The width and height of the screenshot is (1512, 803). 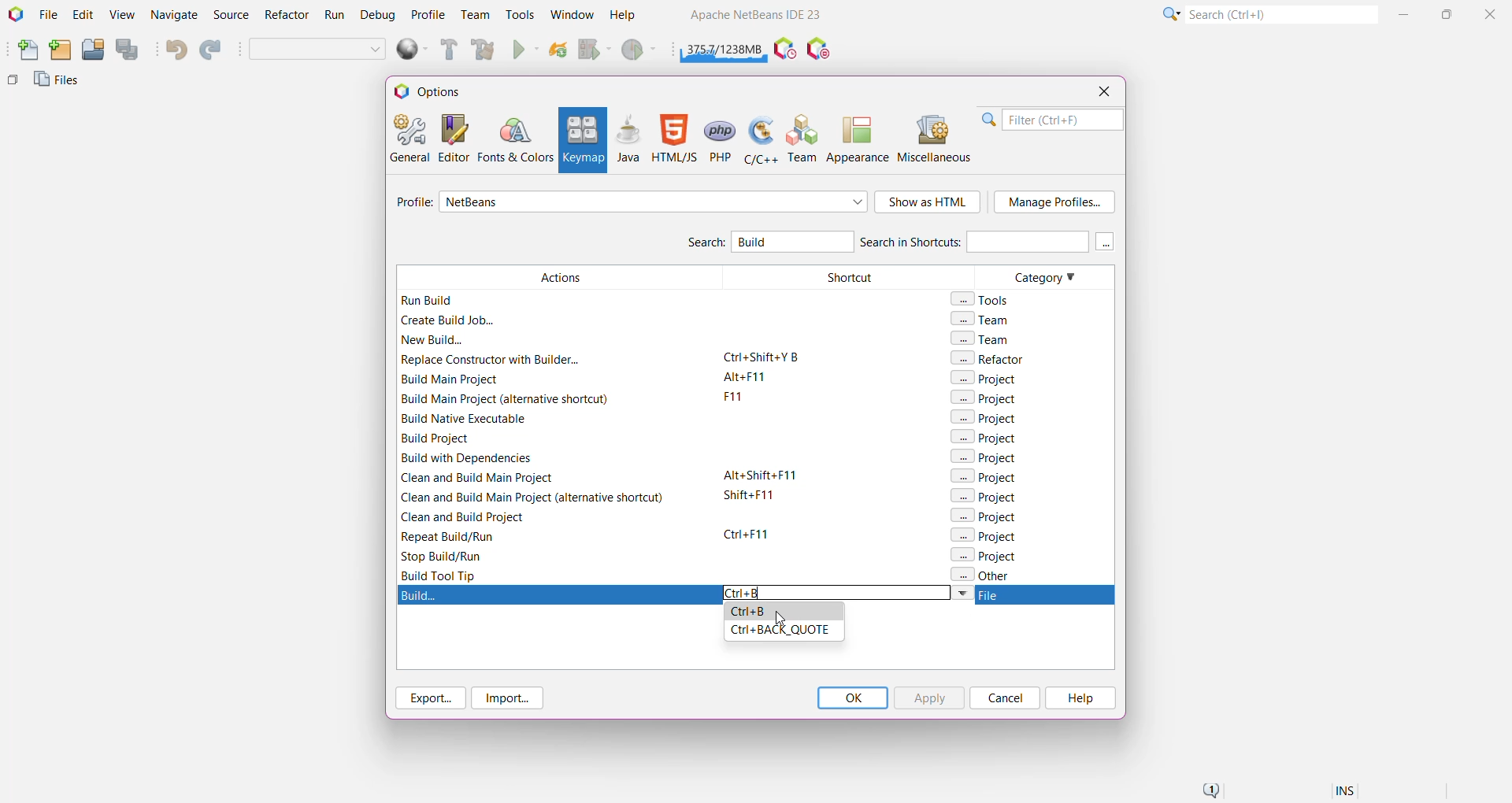 I want to click on Source, so click(x=233, y=15).